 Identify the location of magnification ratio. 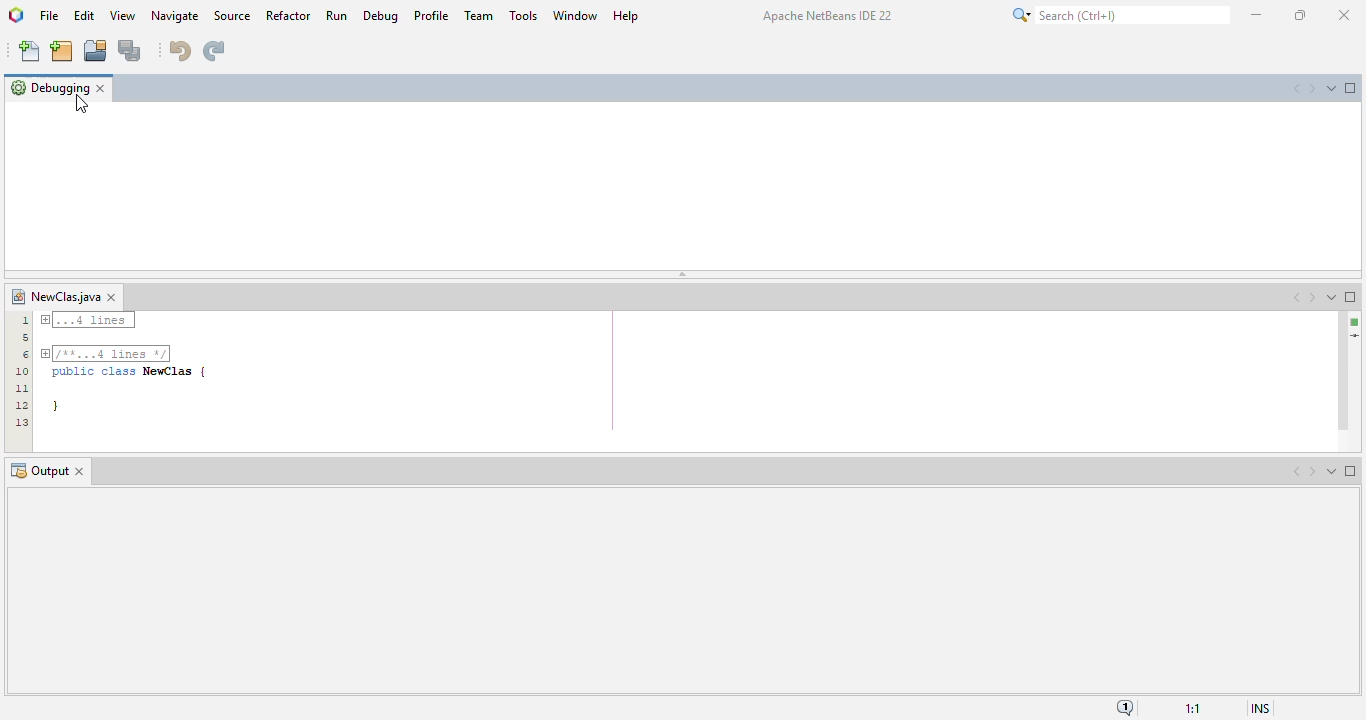
(1194, 708).